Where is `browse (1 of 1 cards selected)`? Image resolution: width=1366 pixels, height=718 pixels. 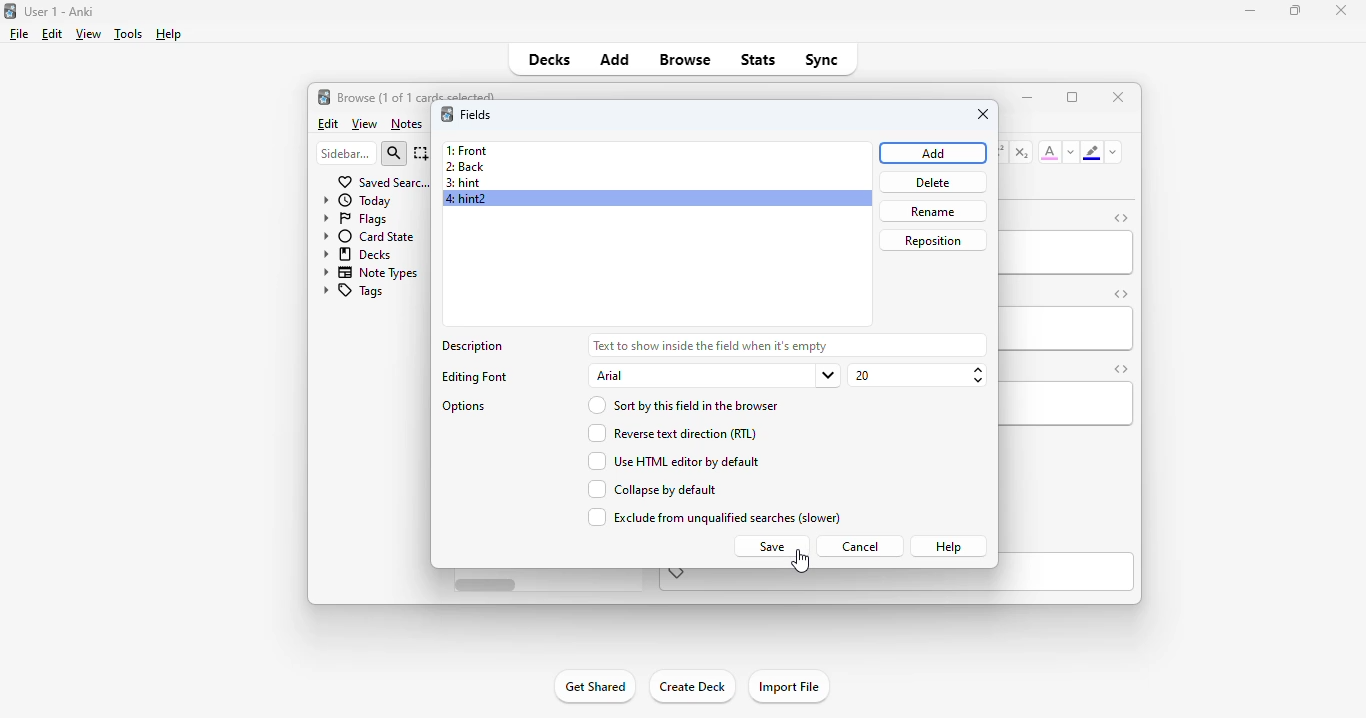 browse (1 of 1 cards selected) is located at coordinates (417, 95).